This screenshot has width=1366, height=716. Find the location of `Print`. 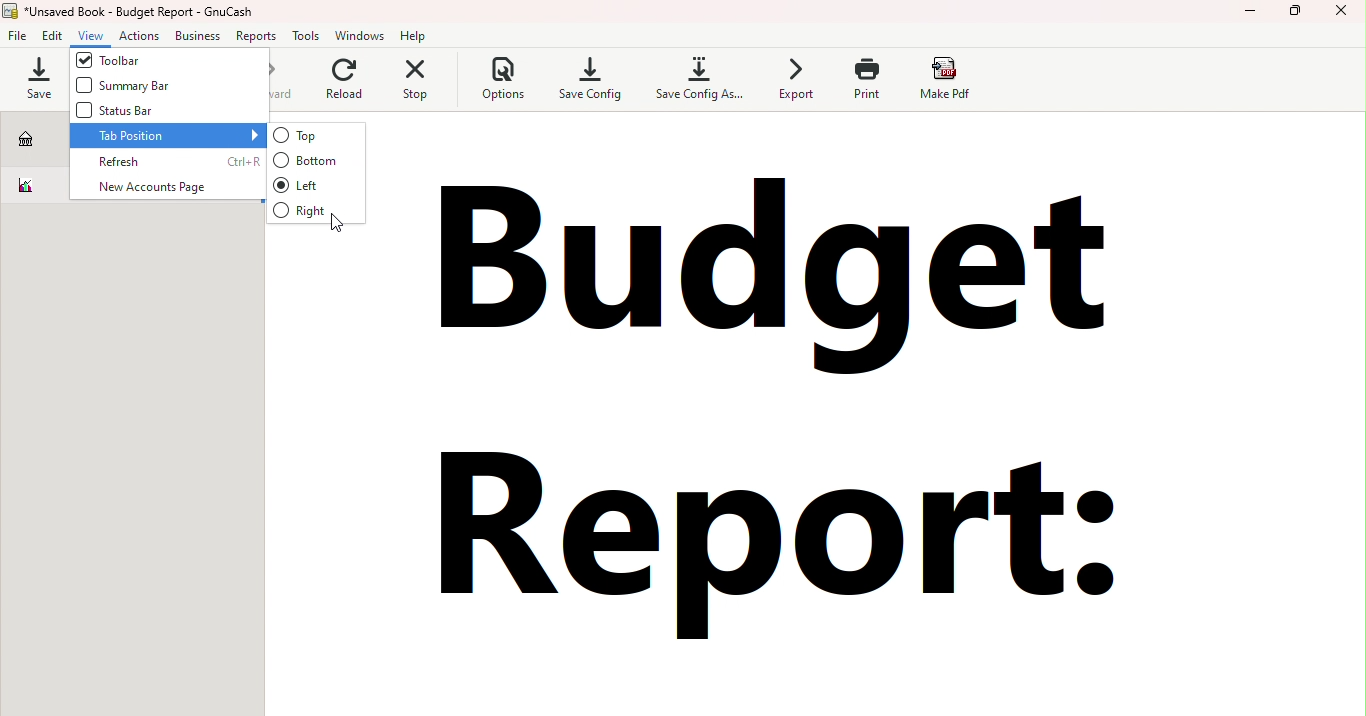

Print is located at coordinates (862, 80).